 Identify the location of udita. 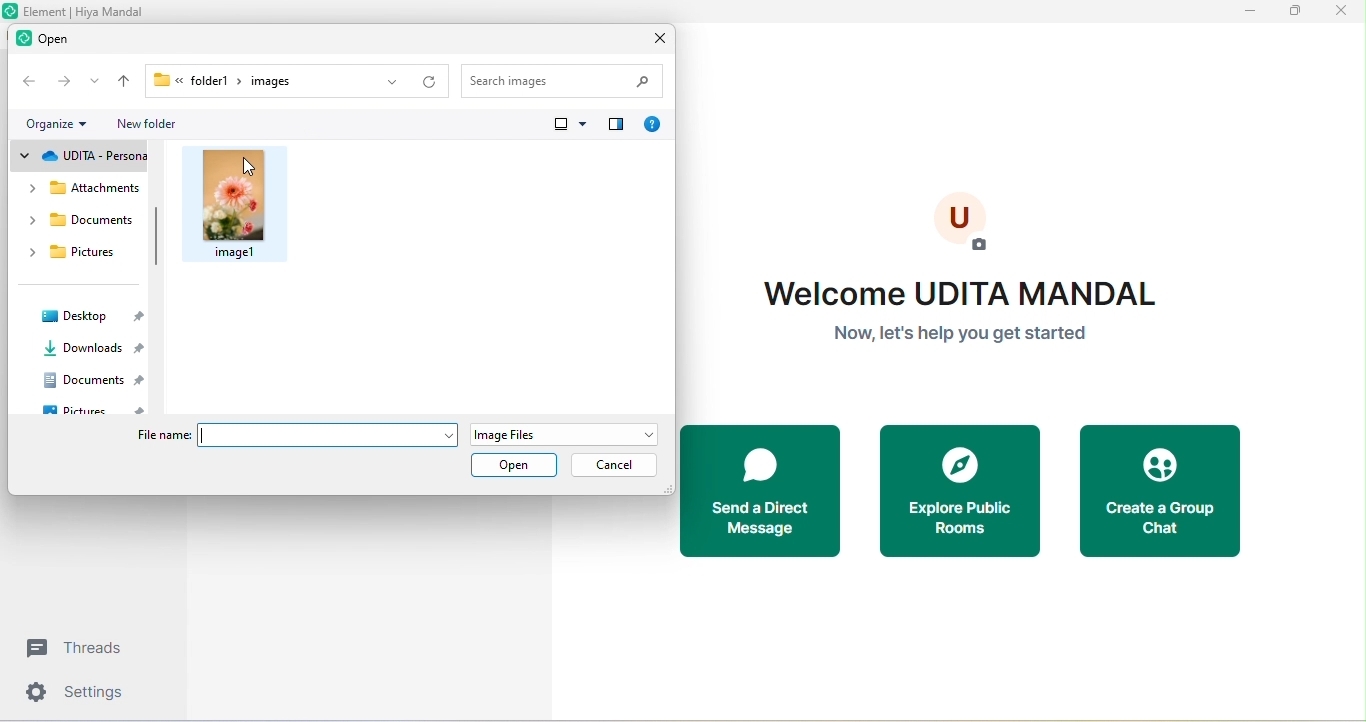
(84, 155).